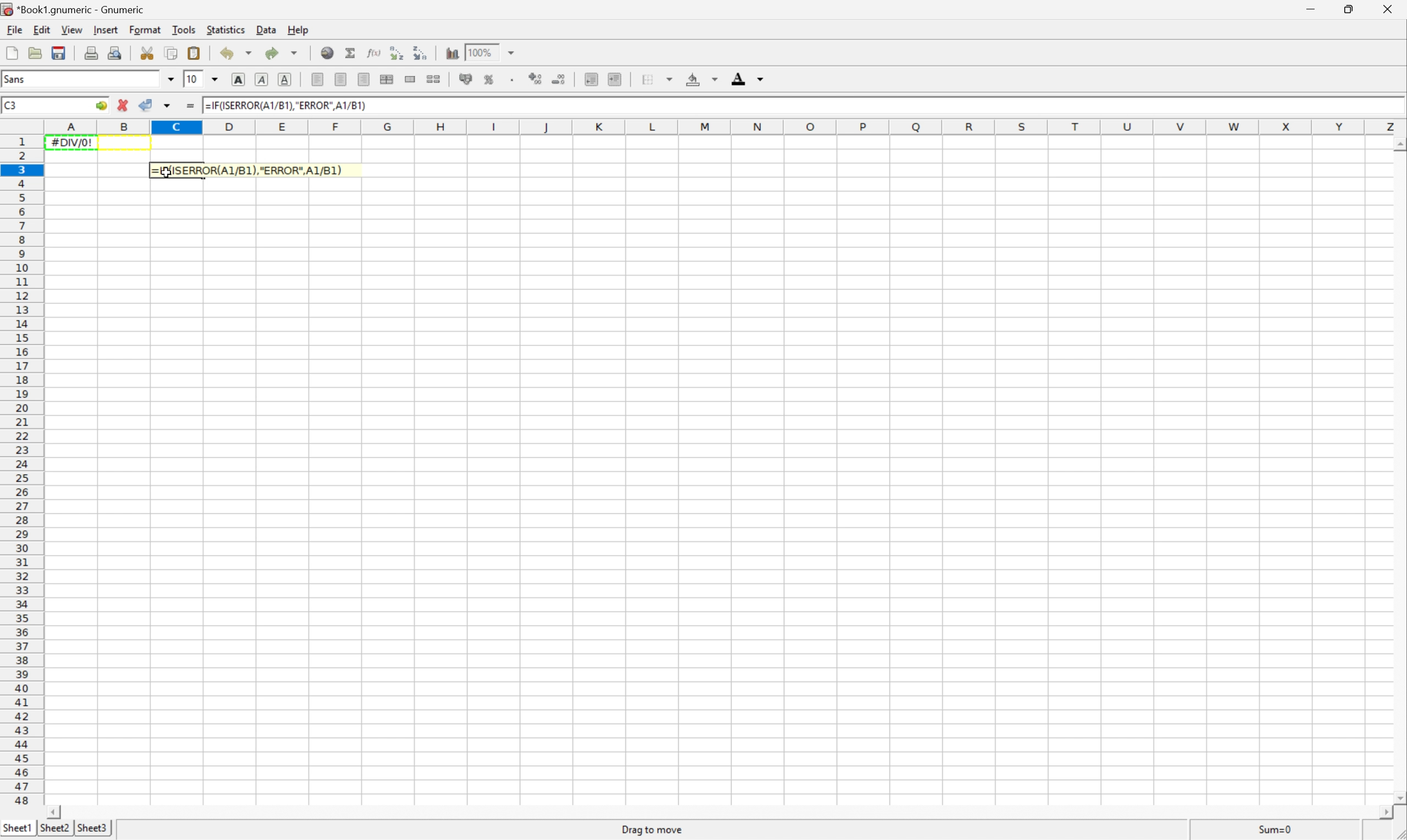 This screenshot has width=1407, height=840. I want to click on center horizontally, so click(342, 79).